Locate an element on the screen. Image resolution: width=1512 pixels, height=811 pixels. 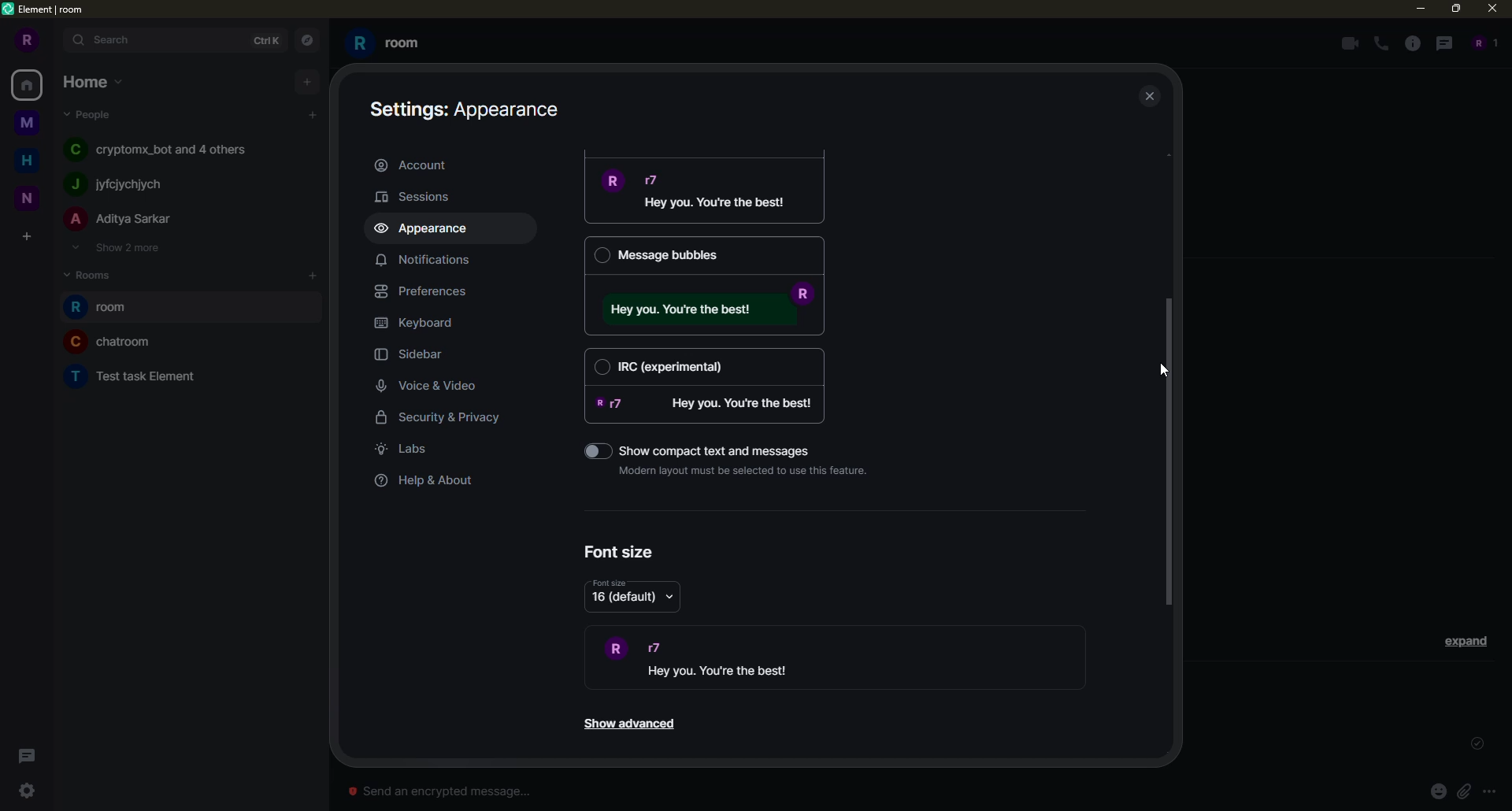
space is located at coordinates (28, 196).